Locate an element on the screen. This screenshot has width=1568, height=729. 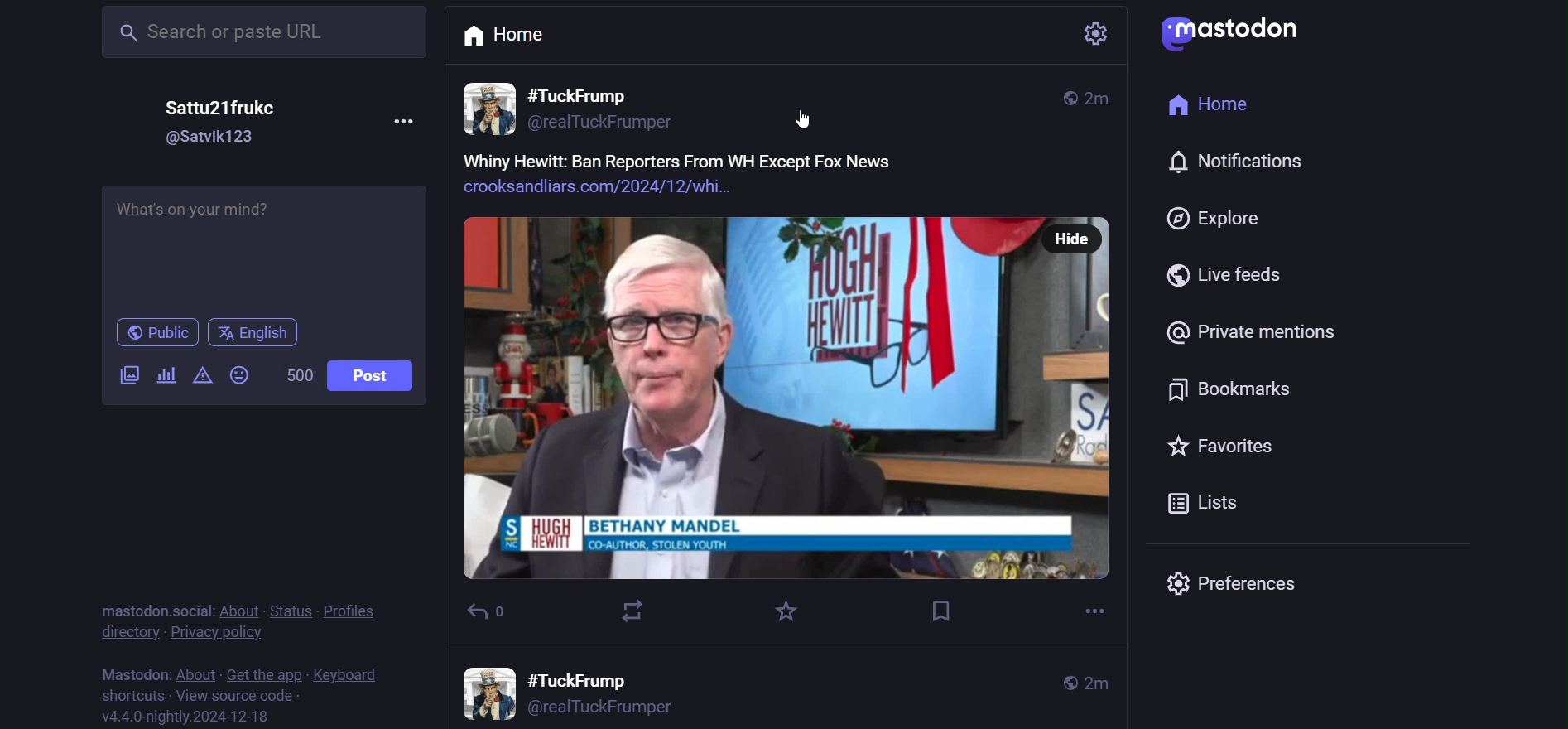
reply is located at coordinates (489, 615).